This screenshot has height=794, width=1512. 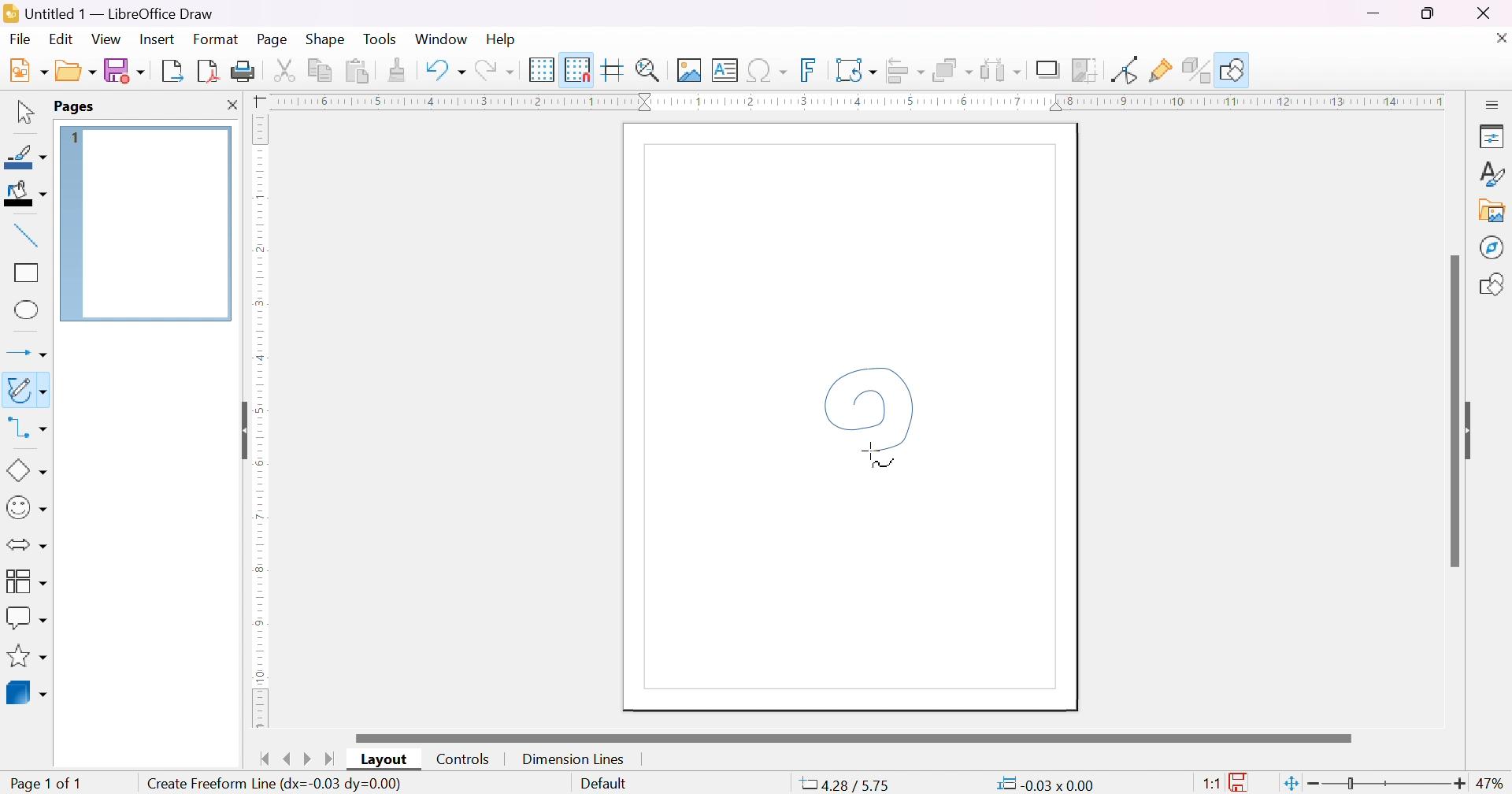 I want to click on flowcharts, so click(x=24, y=581).